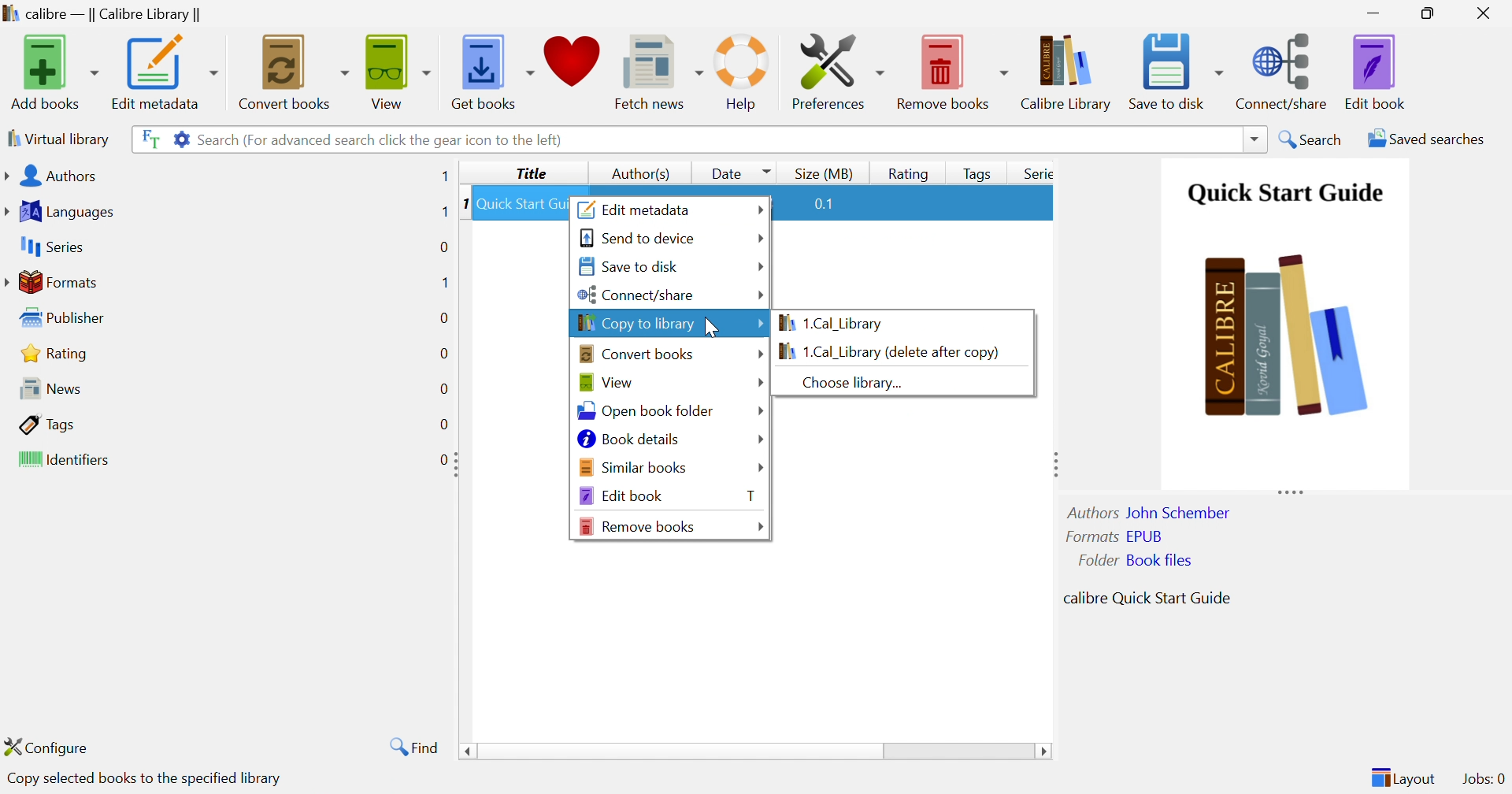 This screenshot has height=794, width=1512. I want to click on calibre - || Calibre Library||, so click(105, 13).